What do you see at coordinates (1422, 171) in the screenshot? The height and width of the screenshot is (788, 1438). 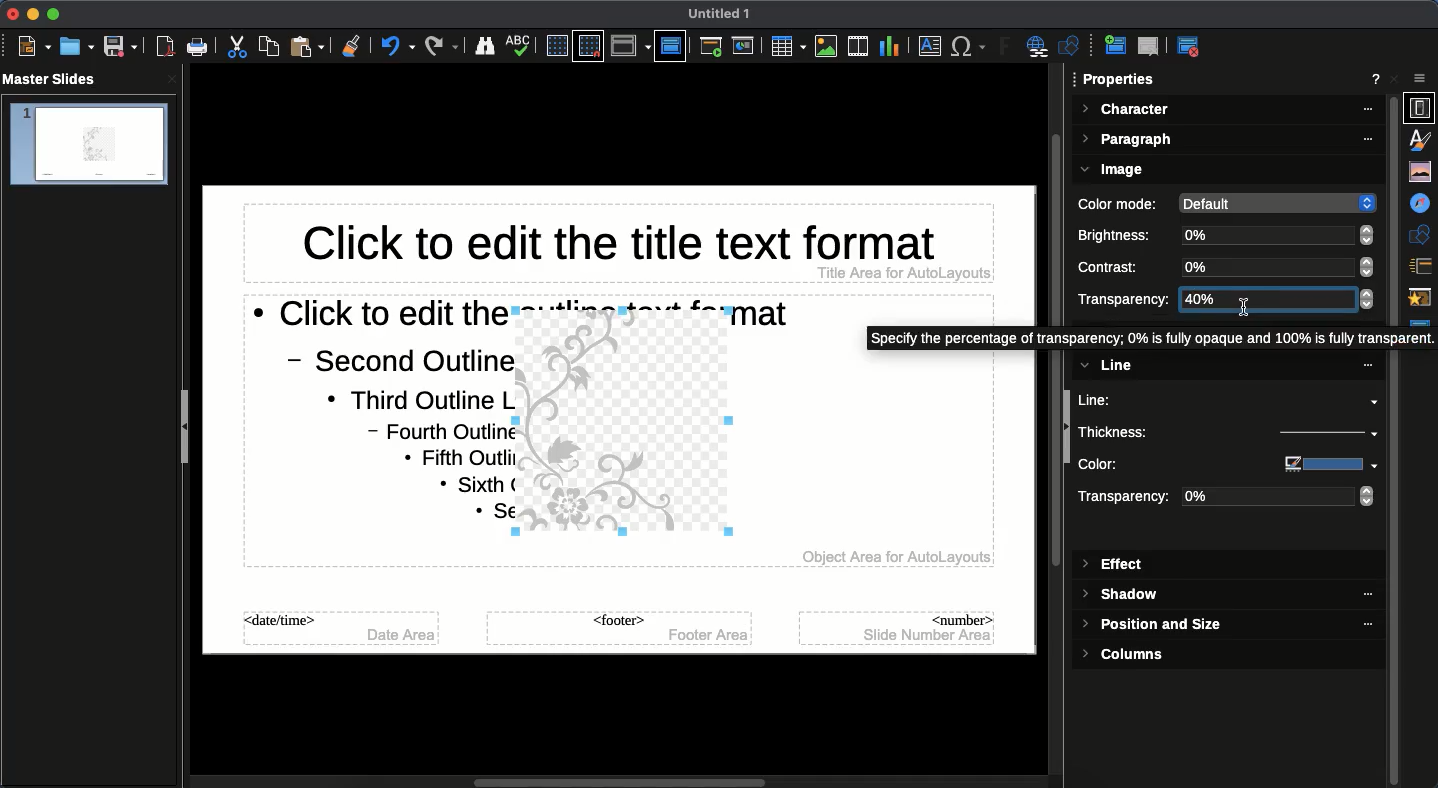 I see `Gallery` at bounding box center [1422, 171].